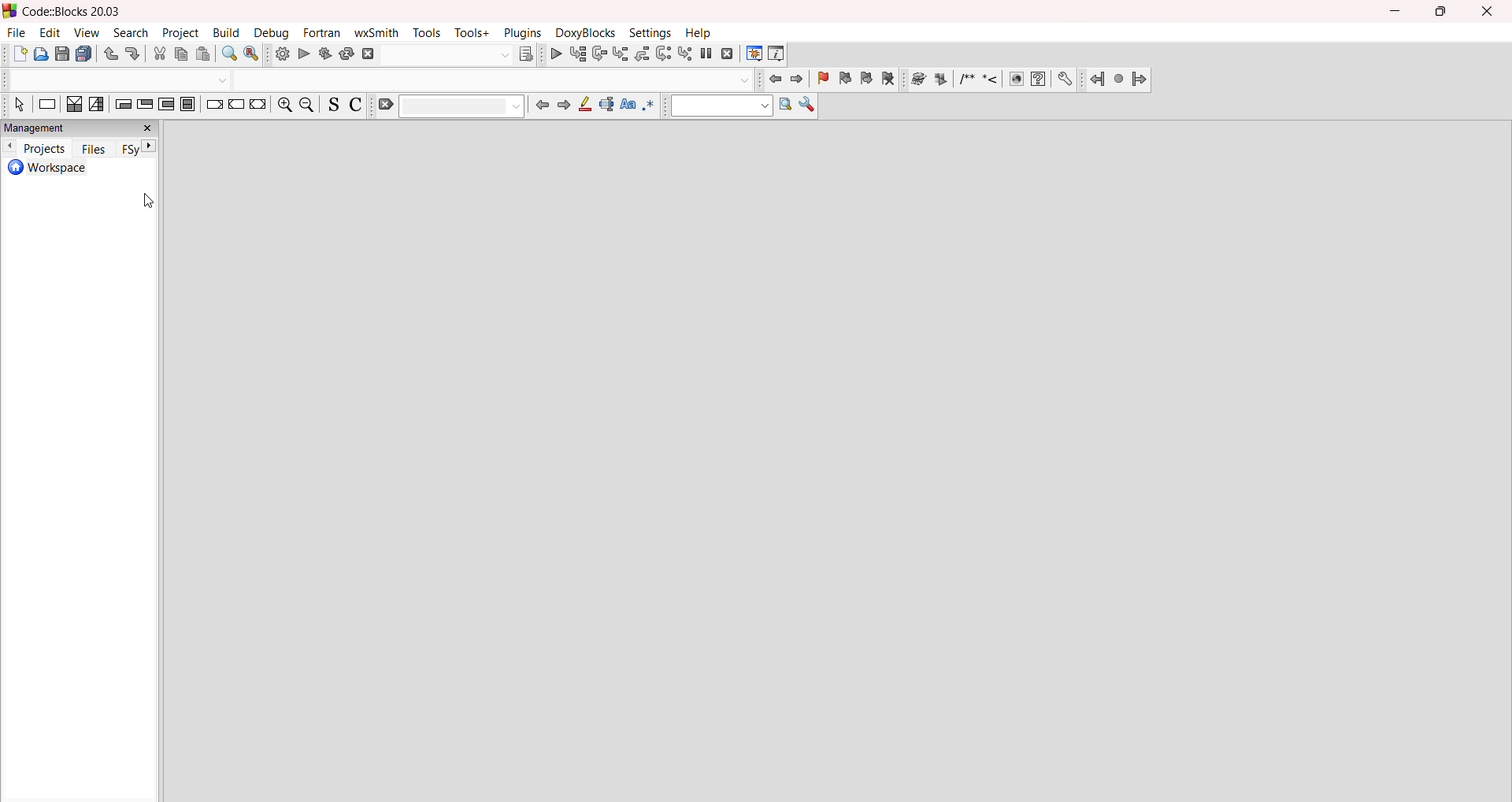 This screenshot has width=1512, height=802. Describe the element at coordinates (206, 54) in the screenshot. I see `paste` at that location.